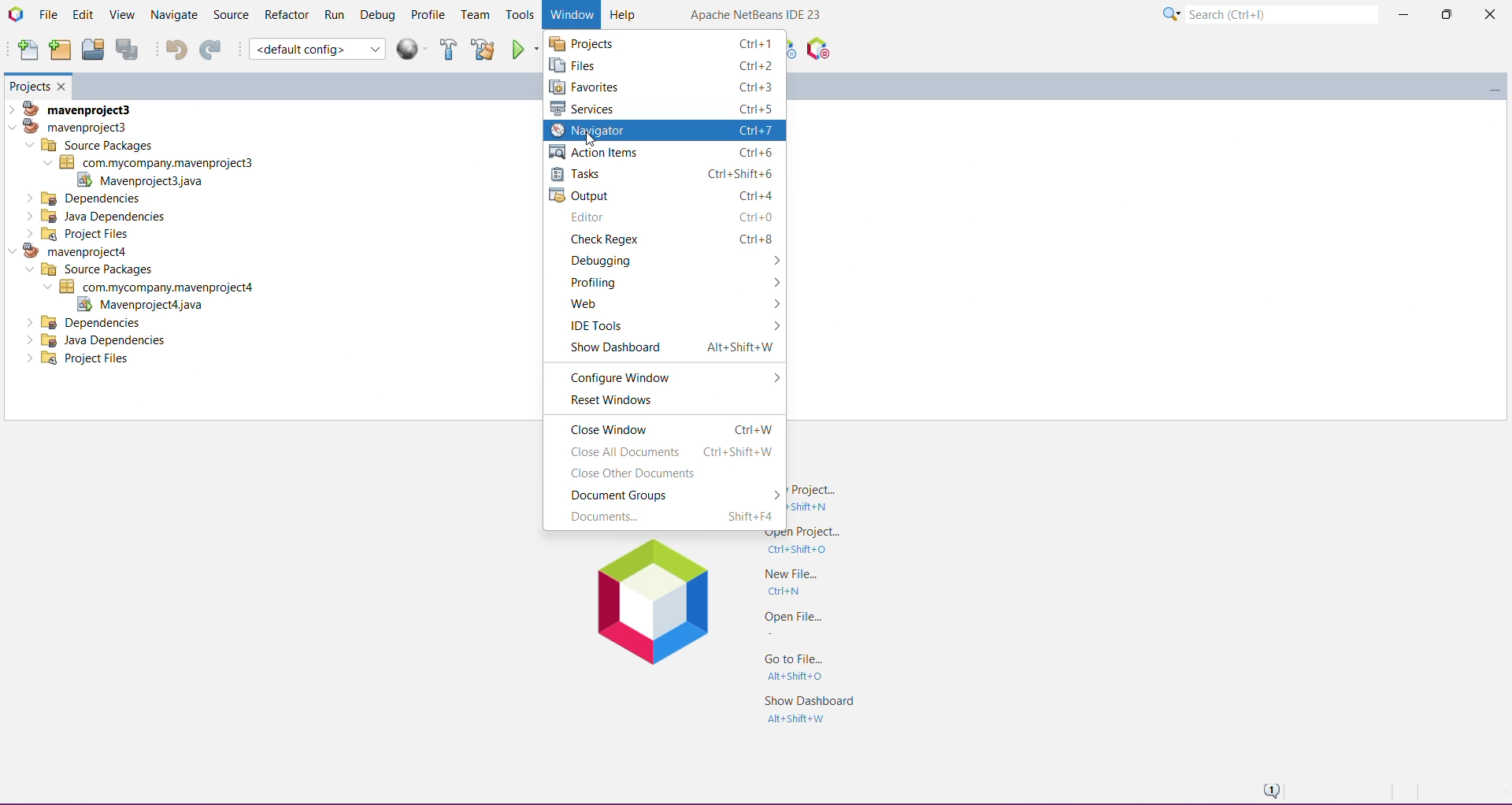 Image resolution: width=1512 pixels, height=805 pixels. What do you see at coordinates (317, 49) in the screenshot?
I see `Set Project Configuration` at bounding box center [317, 49].